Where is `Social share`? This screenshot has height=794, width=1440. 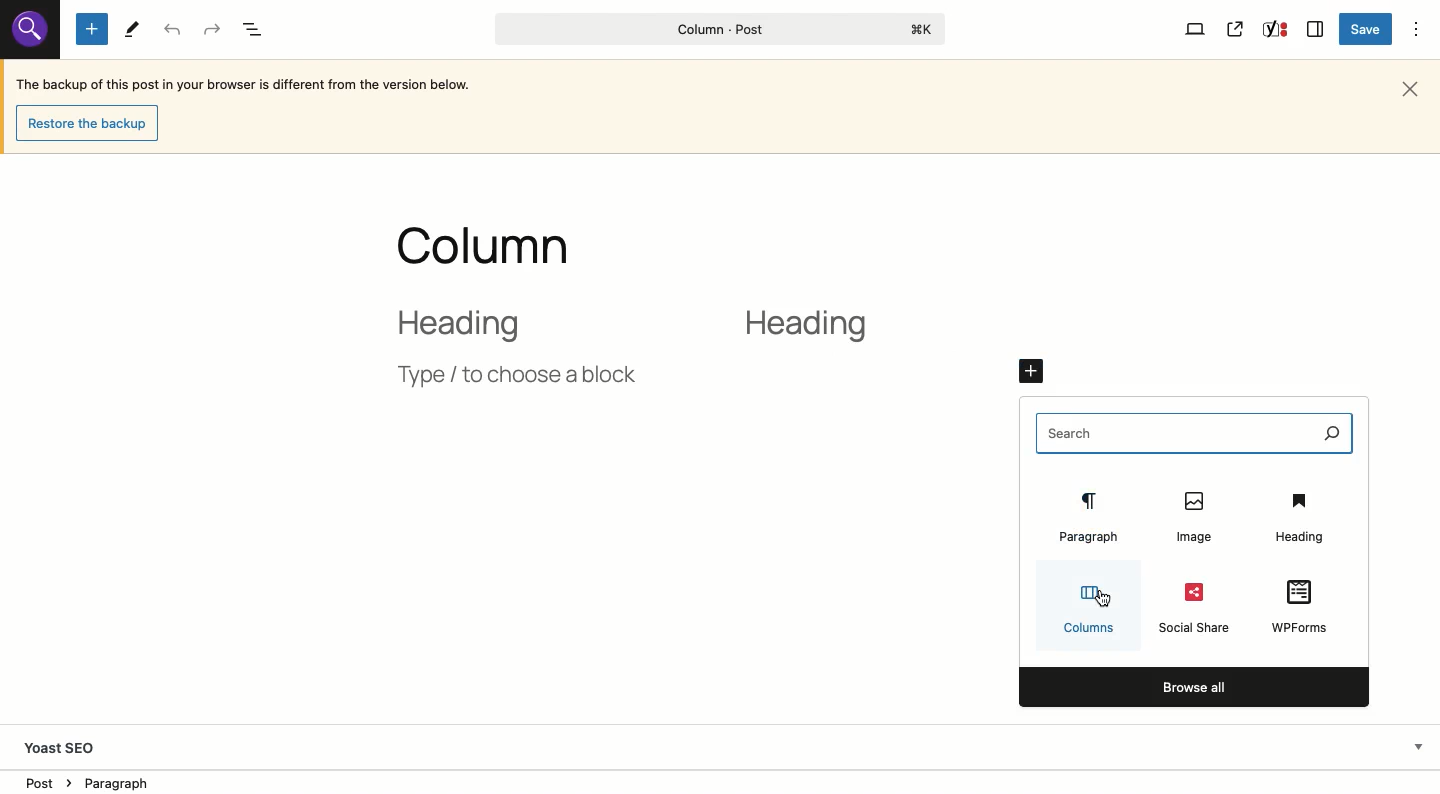 Social share is located at coordinates (1193, 604).